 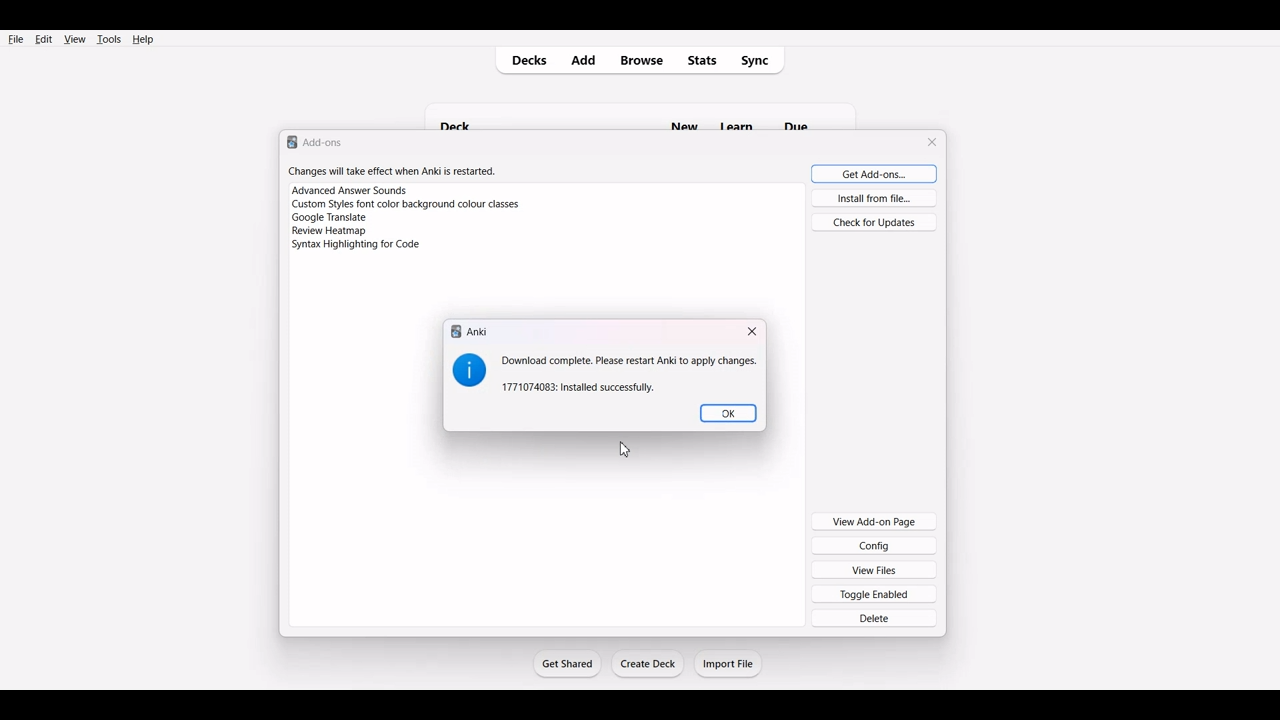 I want to click on Add, so click(x=587, y=60).